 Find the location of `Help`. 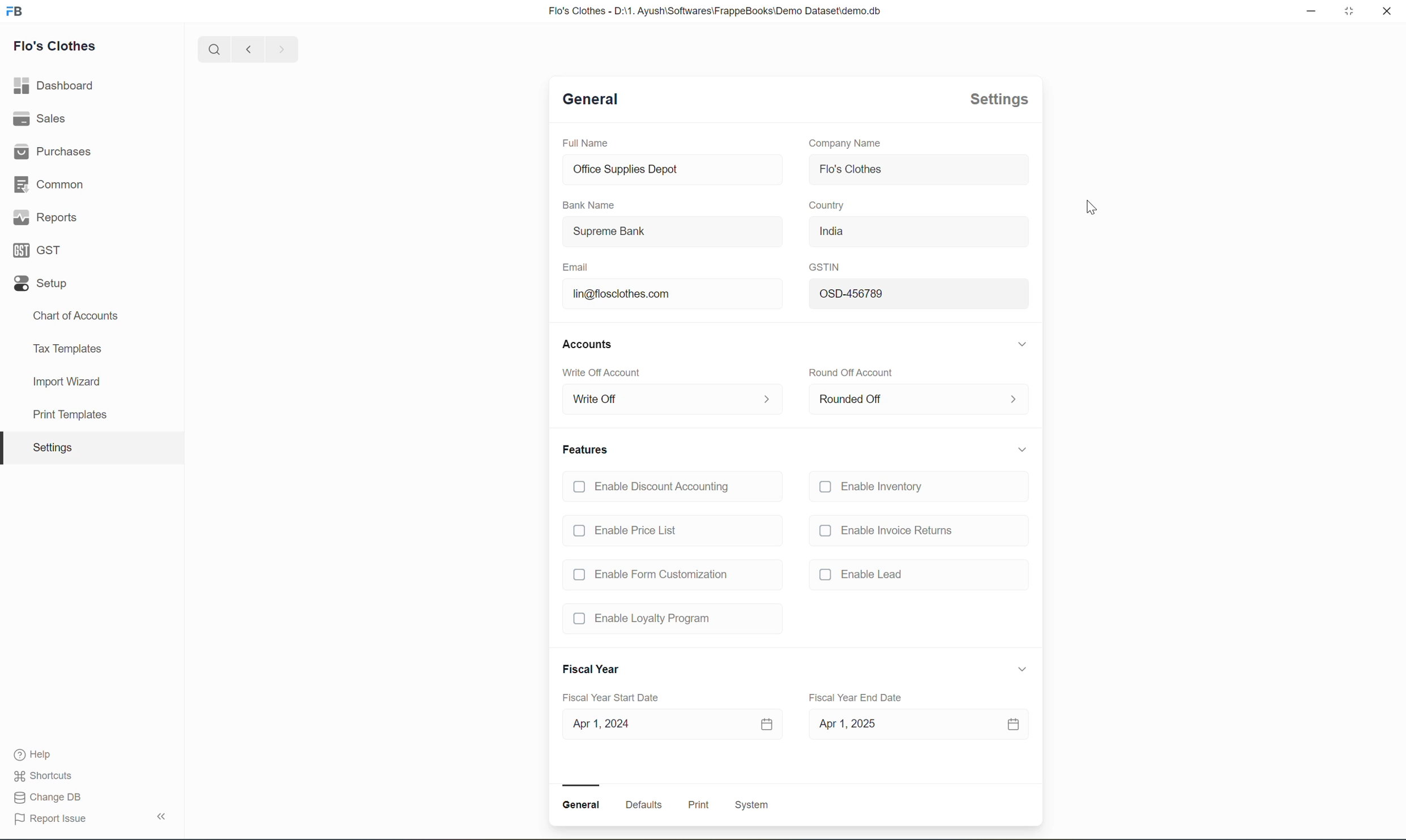

Help is located at coordinates (38, 755).